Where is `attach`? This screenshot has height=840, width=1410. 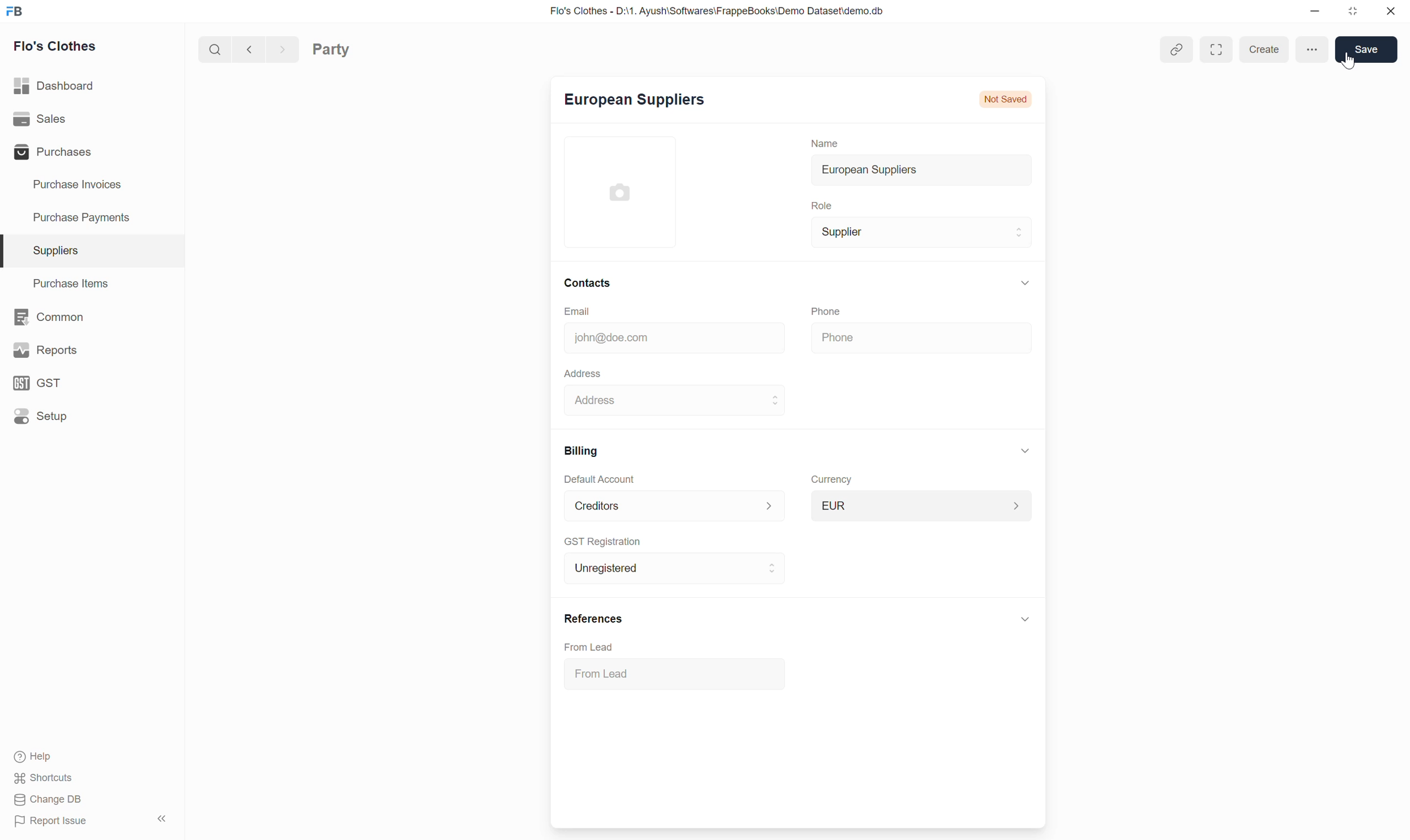 attach is located at coordinates (1167, 48).